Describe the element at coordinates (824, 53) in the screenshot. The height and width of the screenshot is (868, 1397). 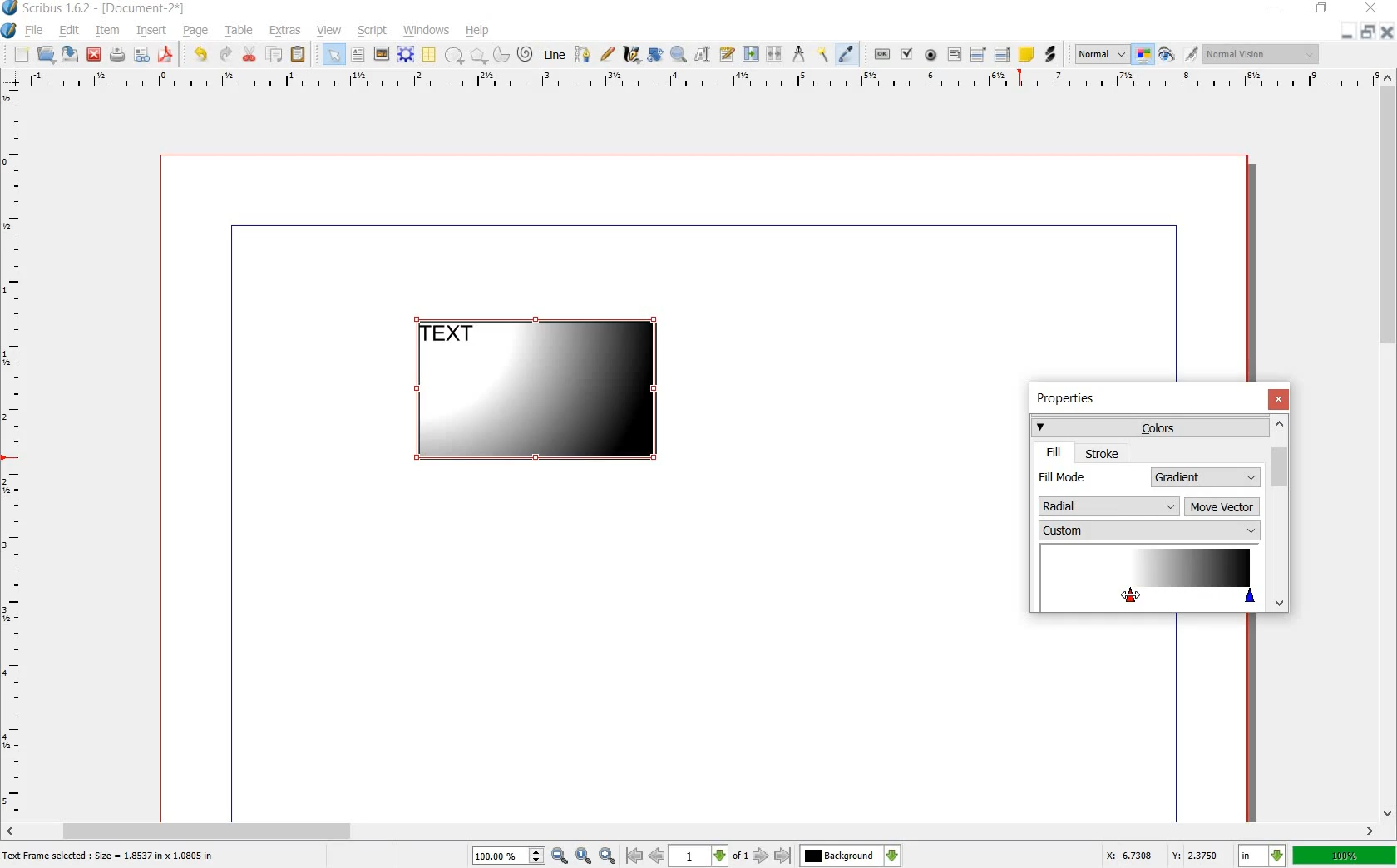
I see `copy item properties` at that location.